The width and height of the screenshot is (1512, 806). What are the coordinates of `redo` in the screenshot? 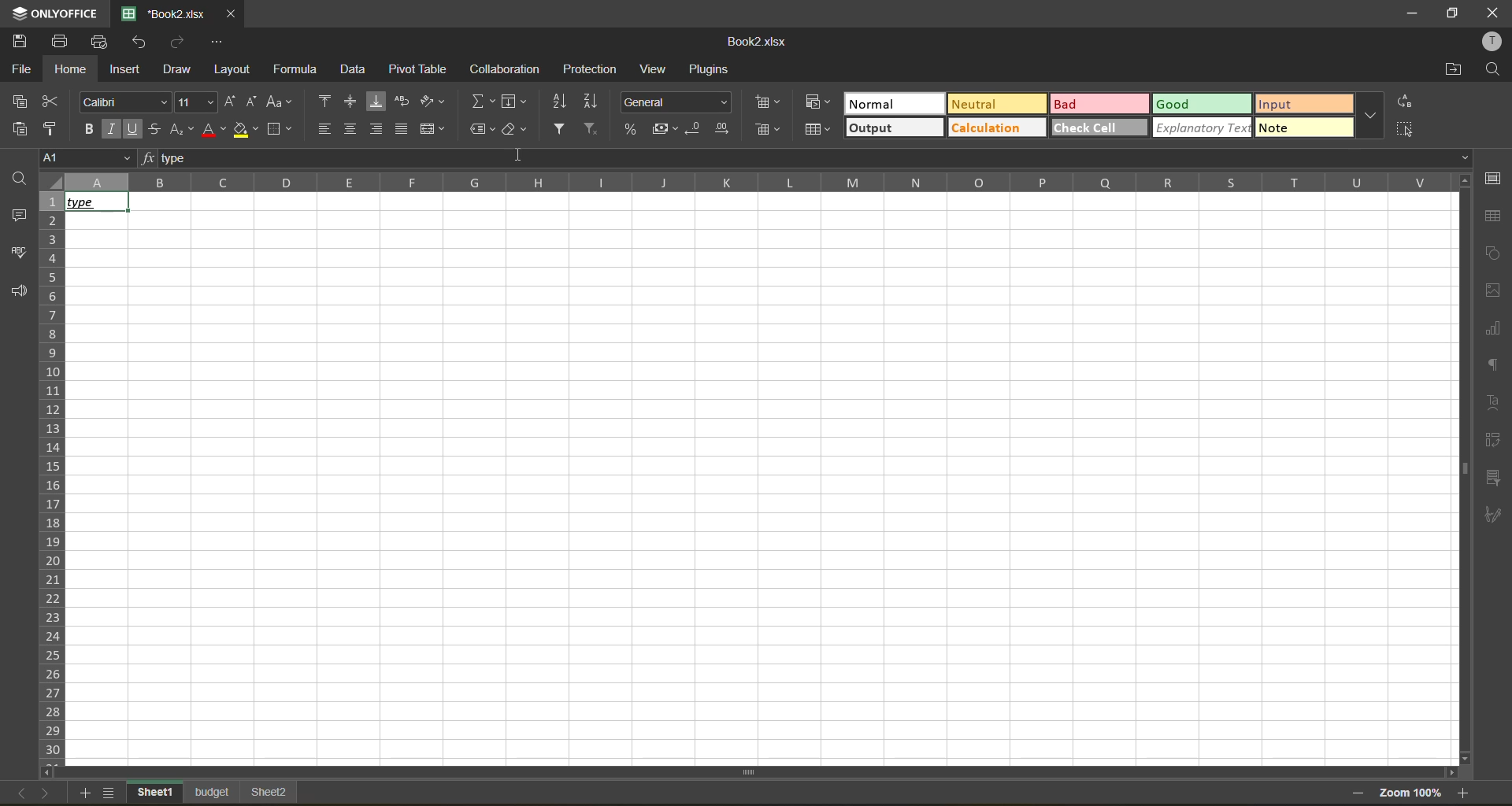 It's located at (183, 42).